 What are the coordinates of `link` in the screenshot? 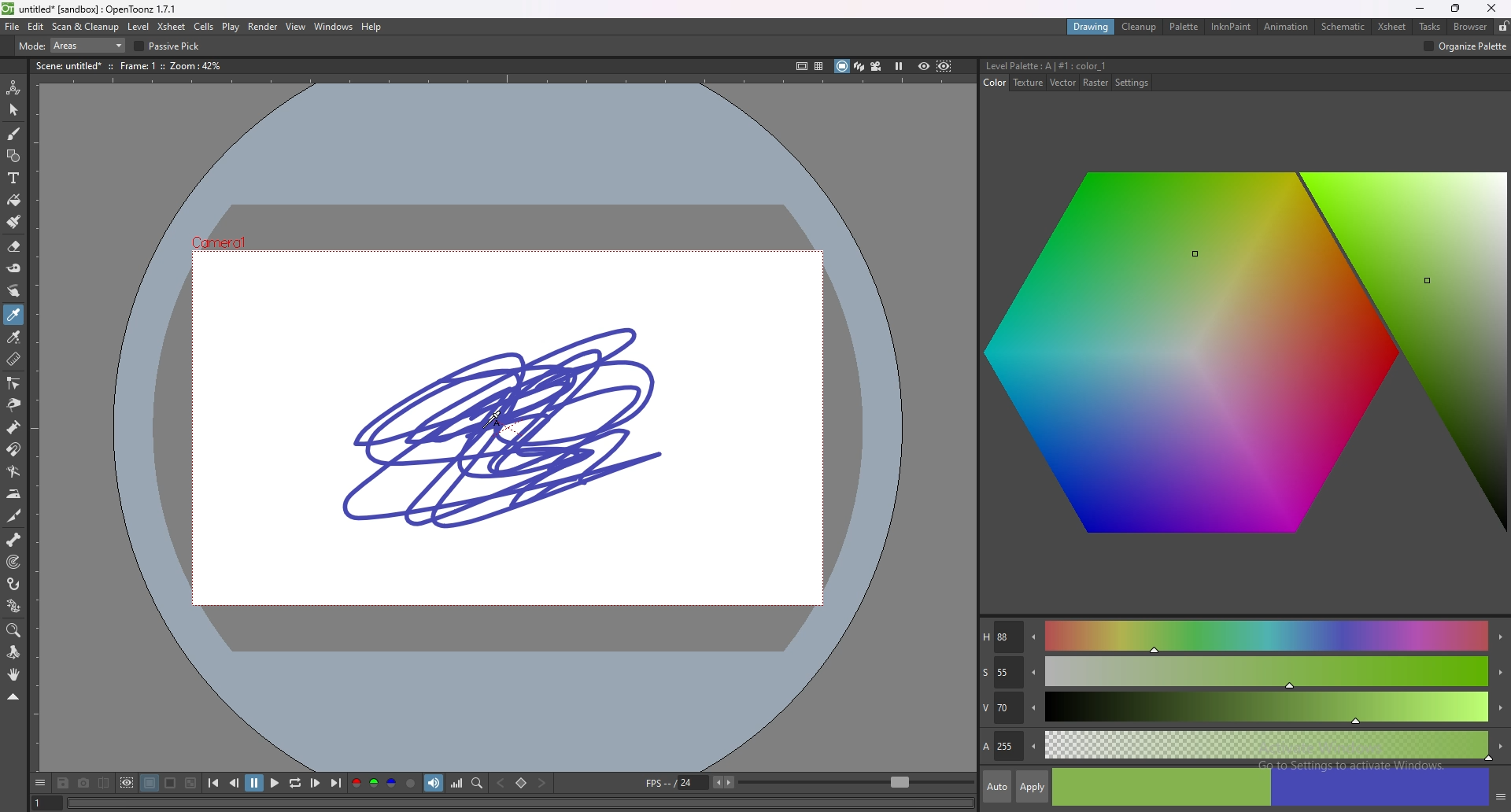 It's located at (740, 46).